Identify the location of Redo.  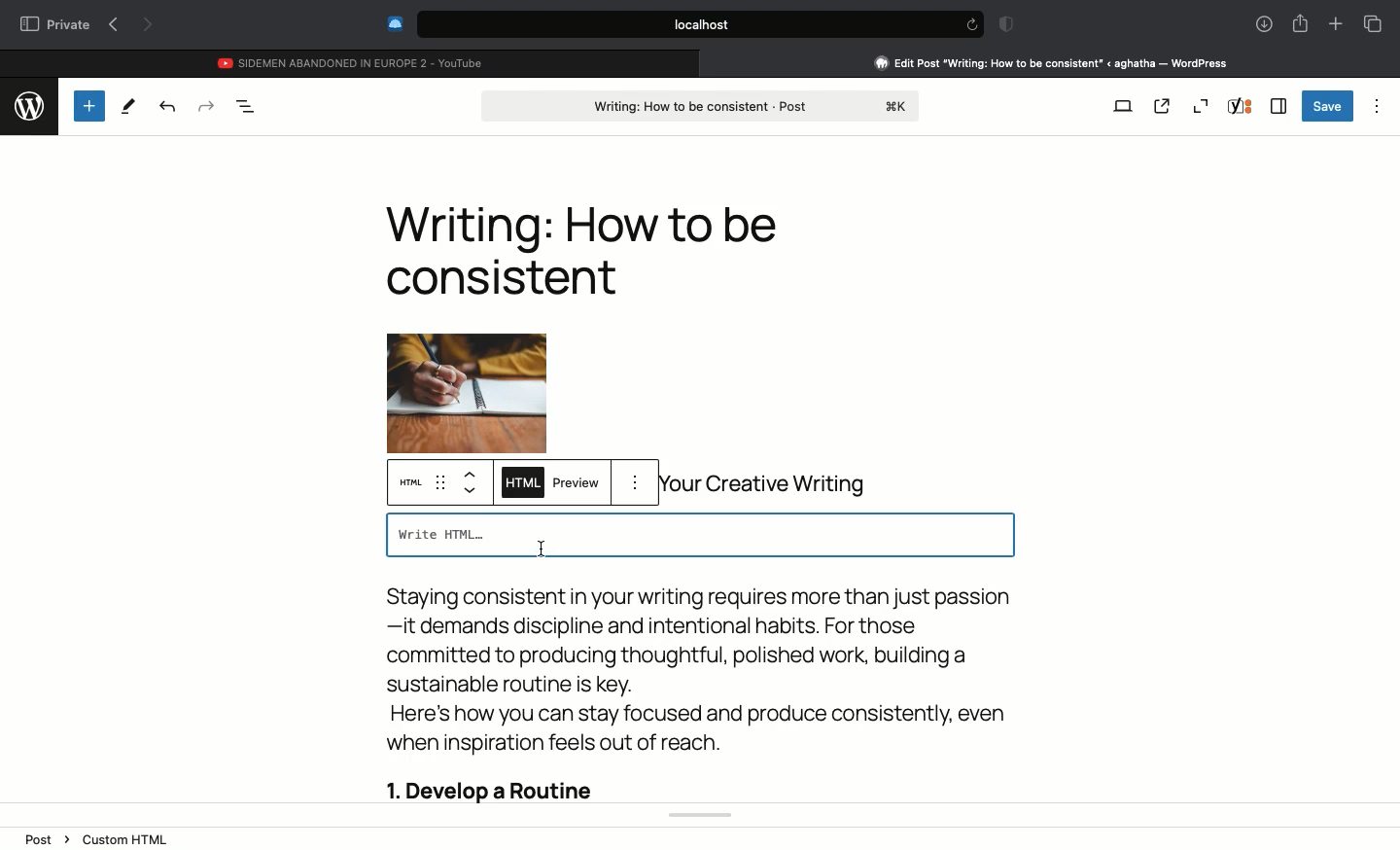
(206, 106).